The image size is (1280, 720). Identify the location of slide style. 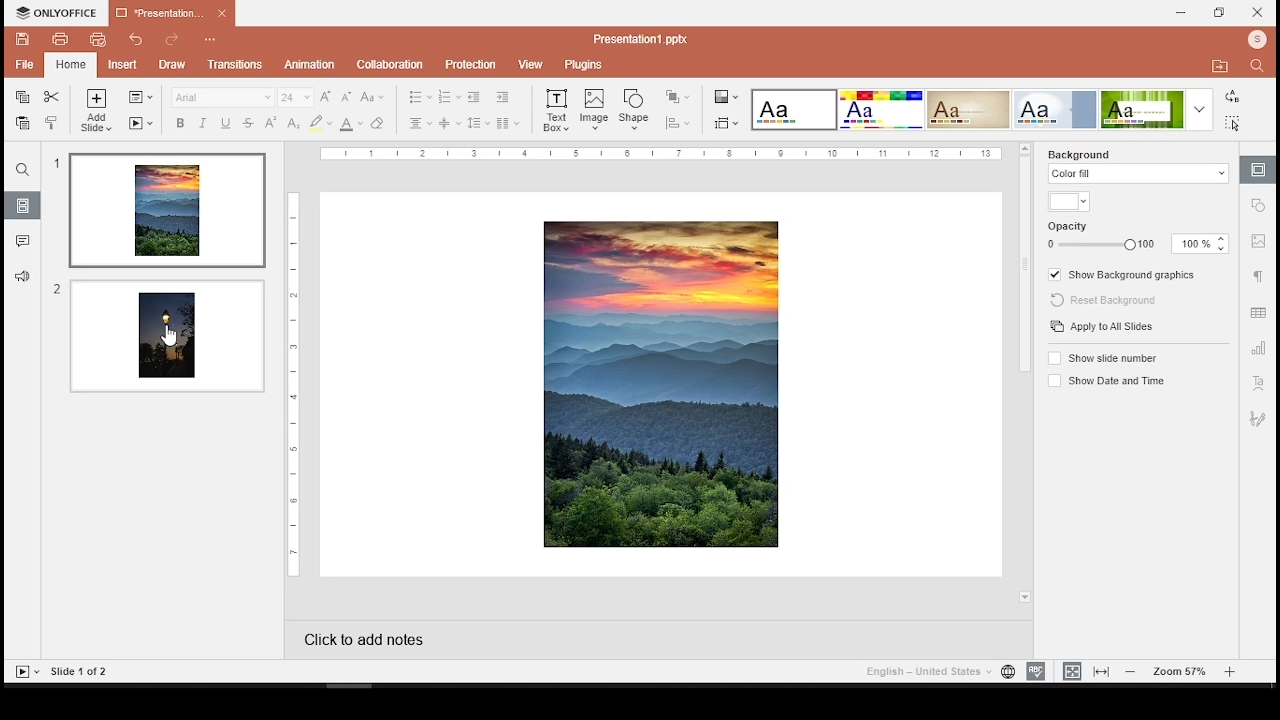
(968, 110).